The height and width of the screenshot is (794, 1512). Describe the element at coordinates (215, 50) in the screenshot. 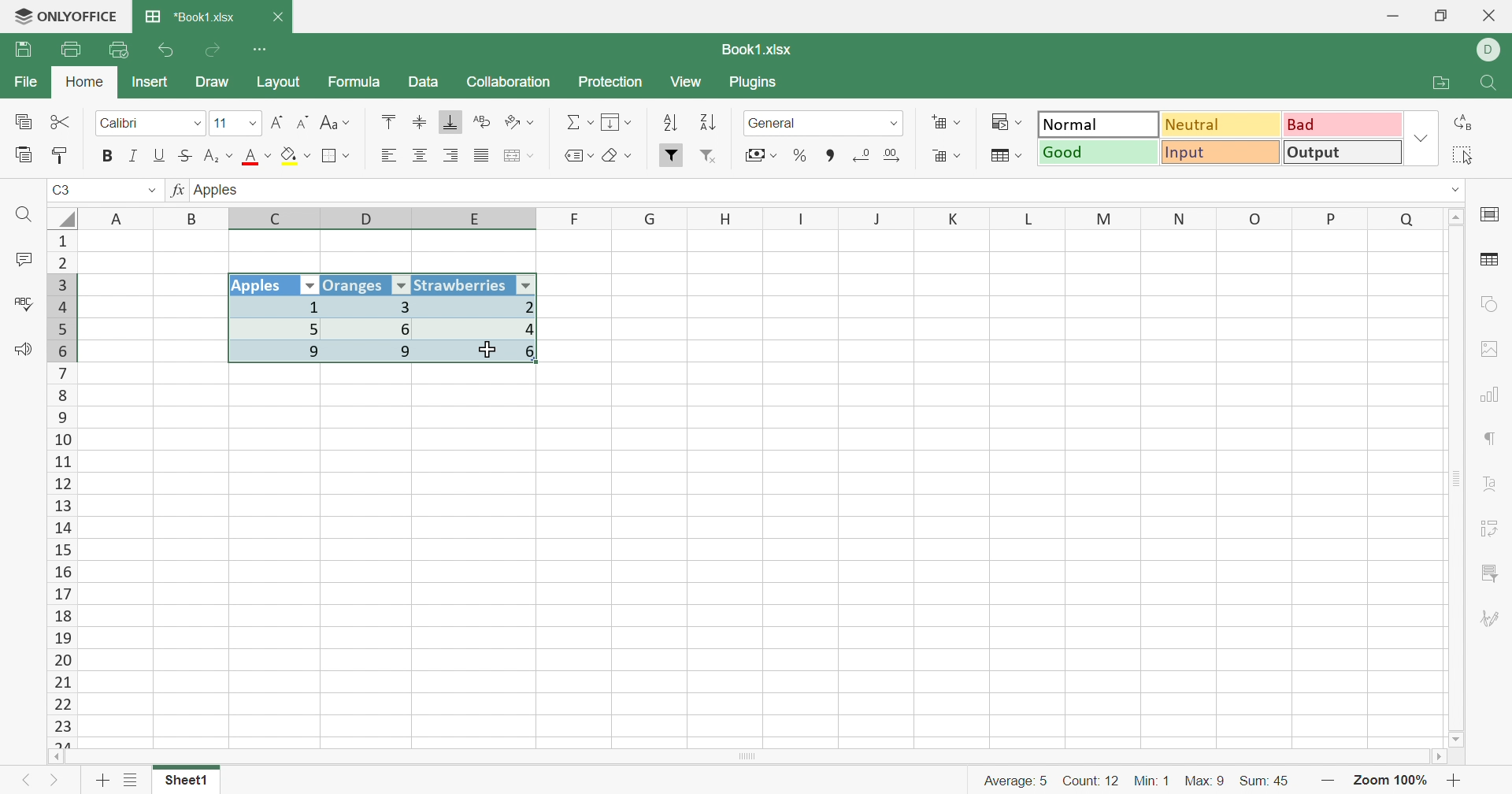

I see `Redo` at that location.